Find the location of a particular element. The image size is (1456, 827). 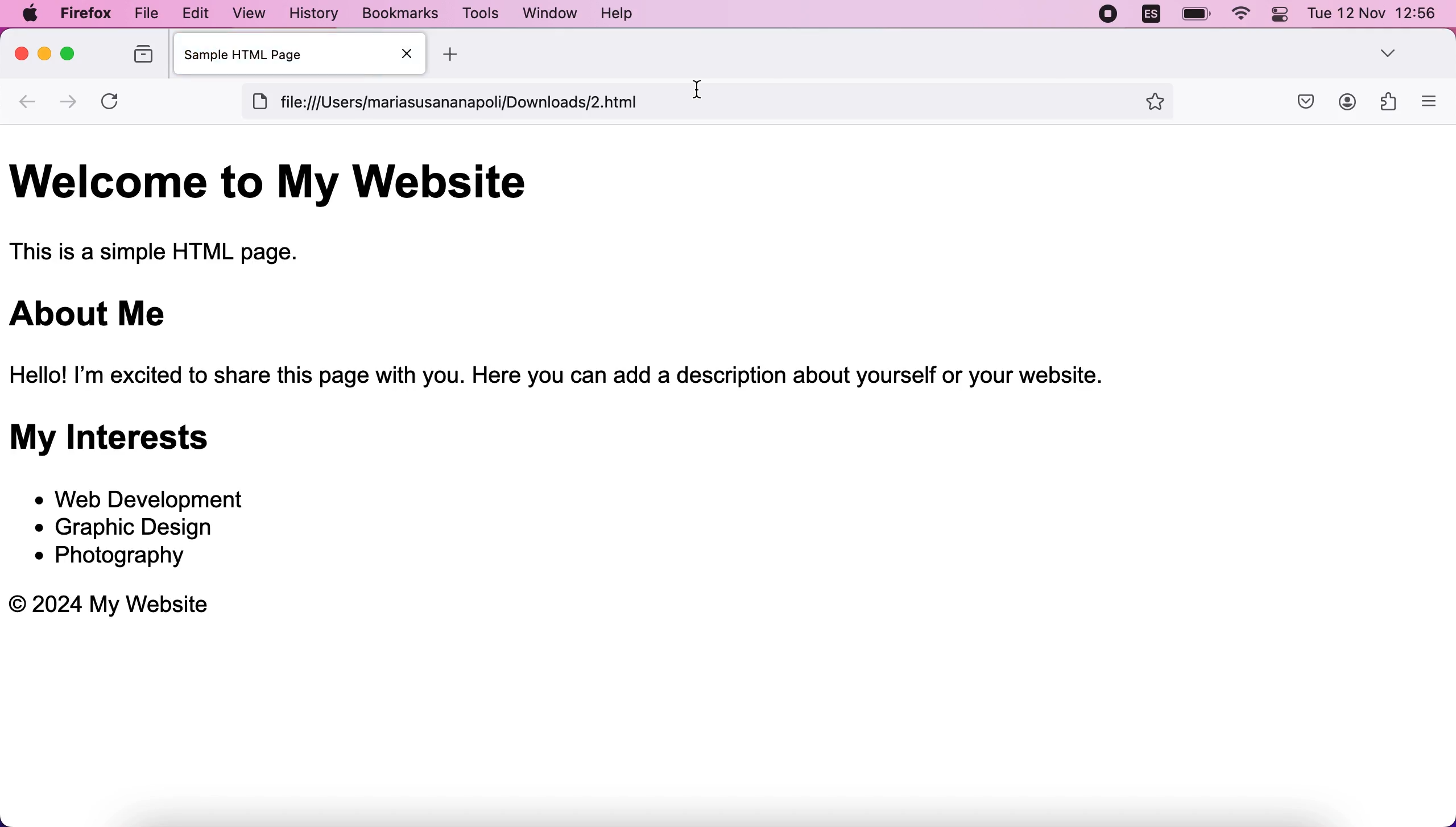

panel control is located at coordinates (1277, 18).